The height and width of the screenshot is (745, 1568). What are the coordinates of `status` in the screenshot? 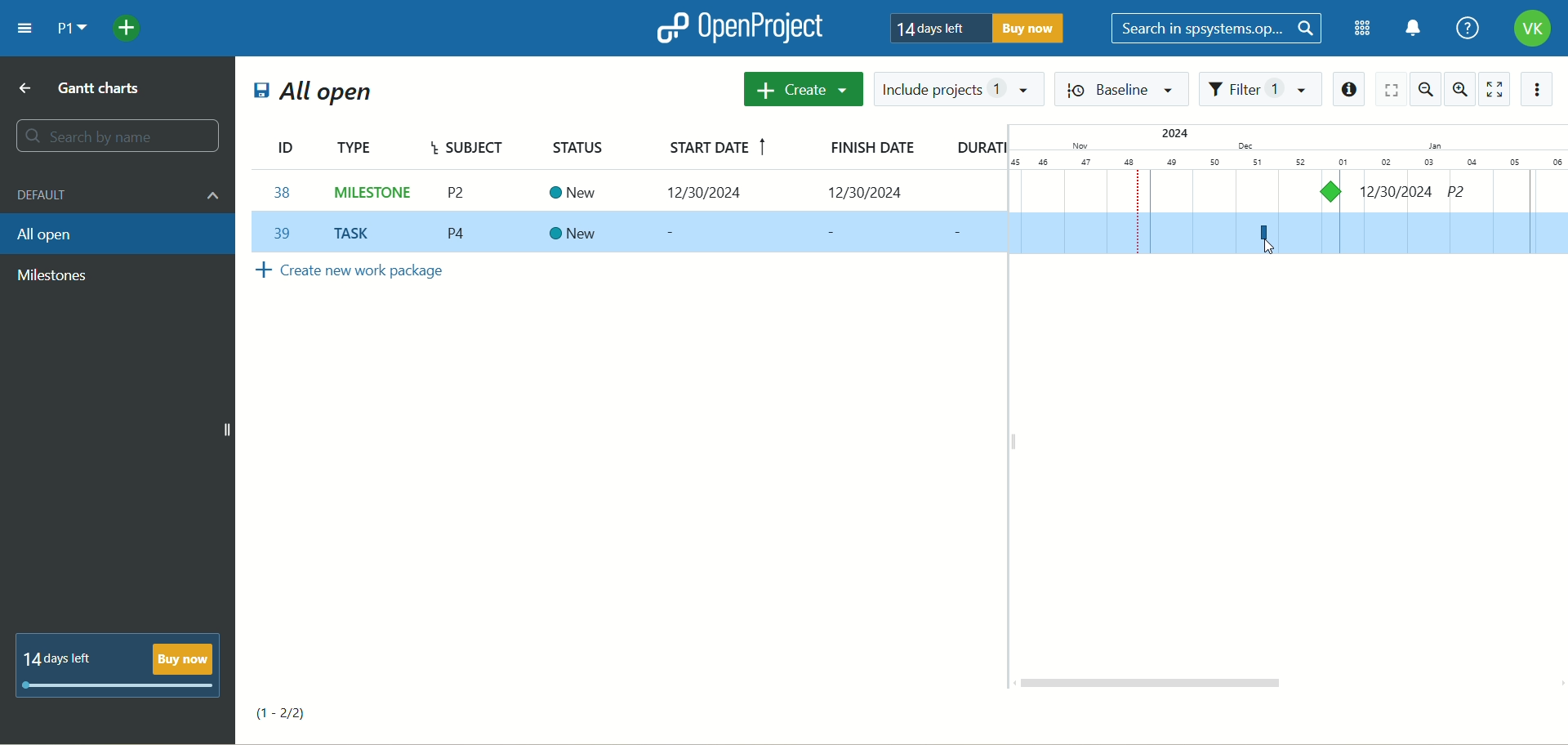 It's located at (584, 145).